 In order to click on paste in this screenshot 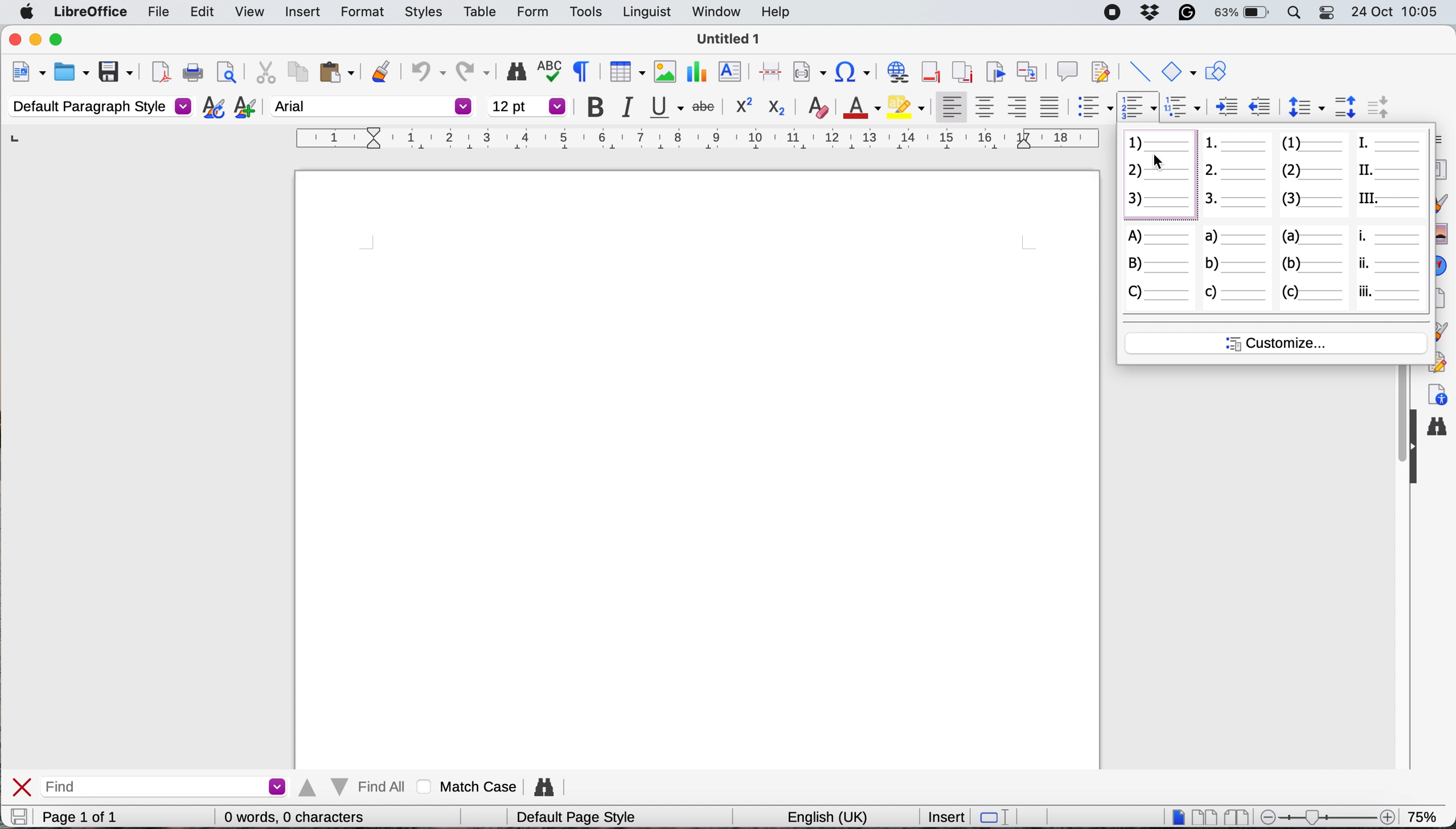, I will do `click(337, 72)`.